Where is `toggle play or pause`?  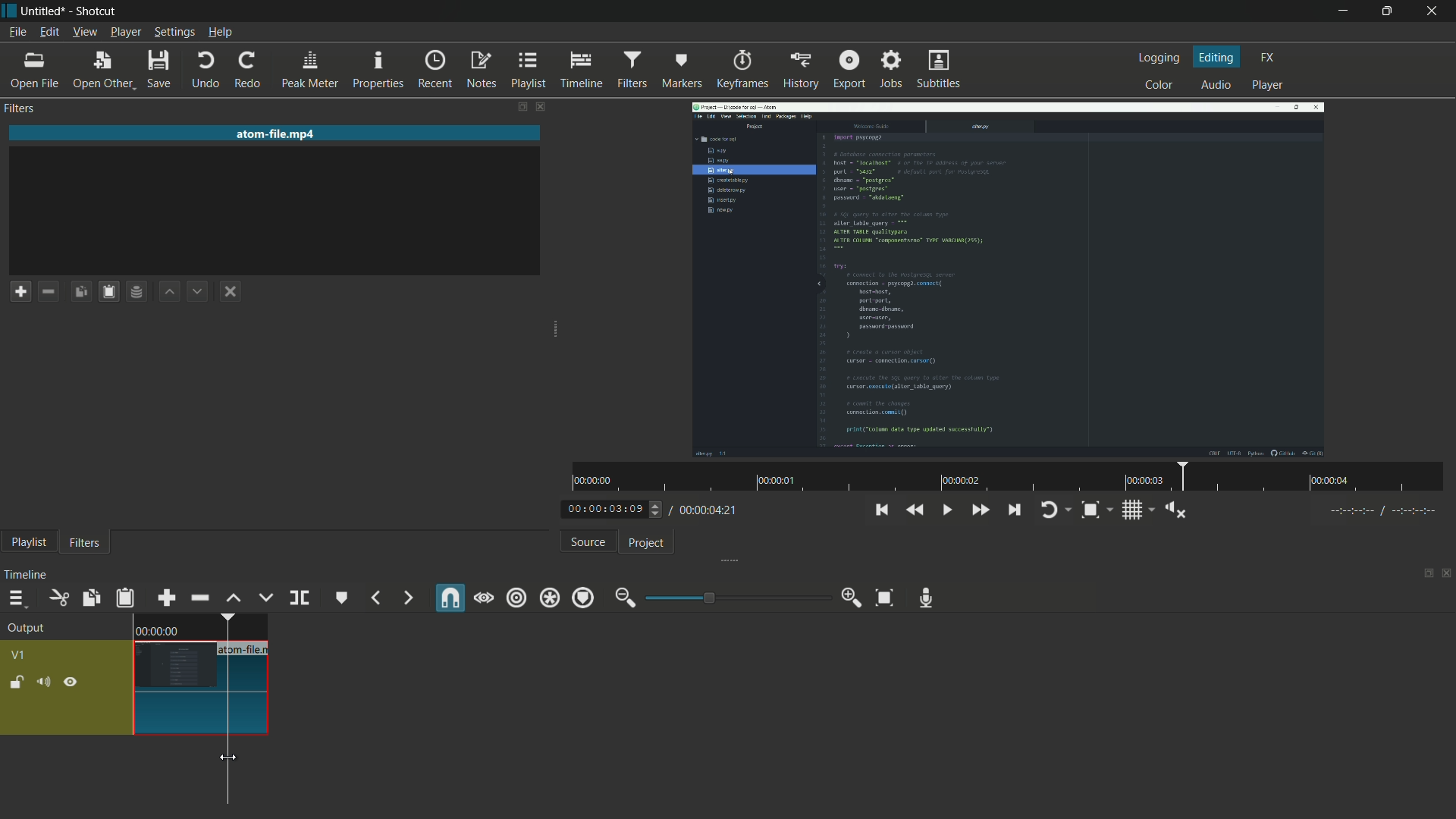 toggle play or pause is located at coordinates (947, 510).